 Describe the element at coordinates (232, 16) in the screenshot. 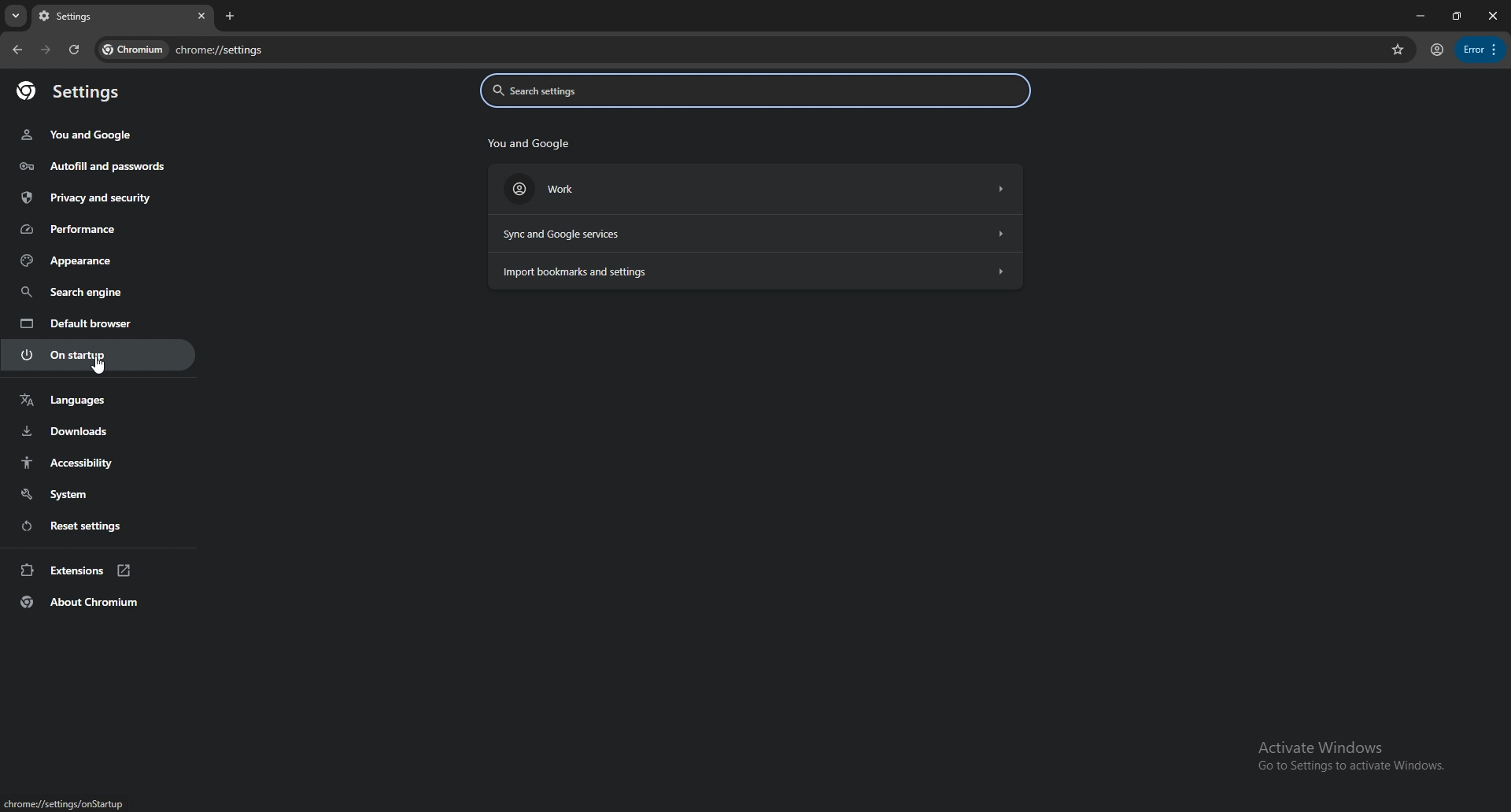

I see `add tab` at that location.